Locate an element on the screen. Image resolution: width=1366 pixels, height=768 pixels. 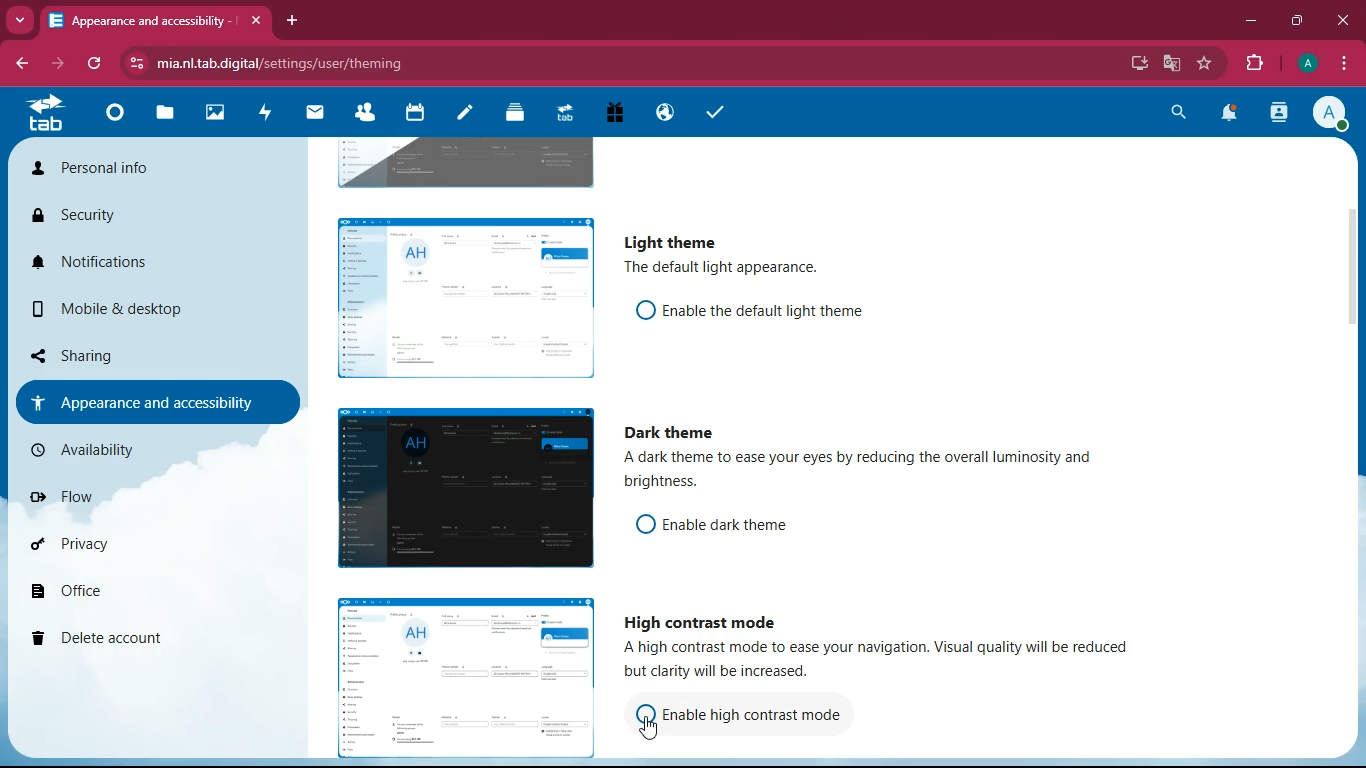
description is located at coordinates (884, 473).